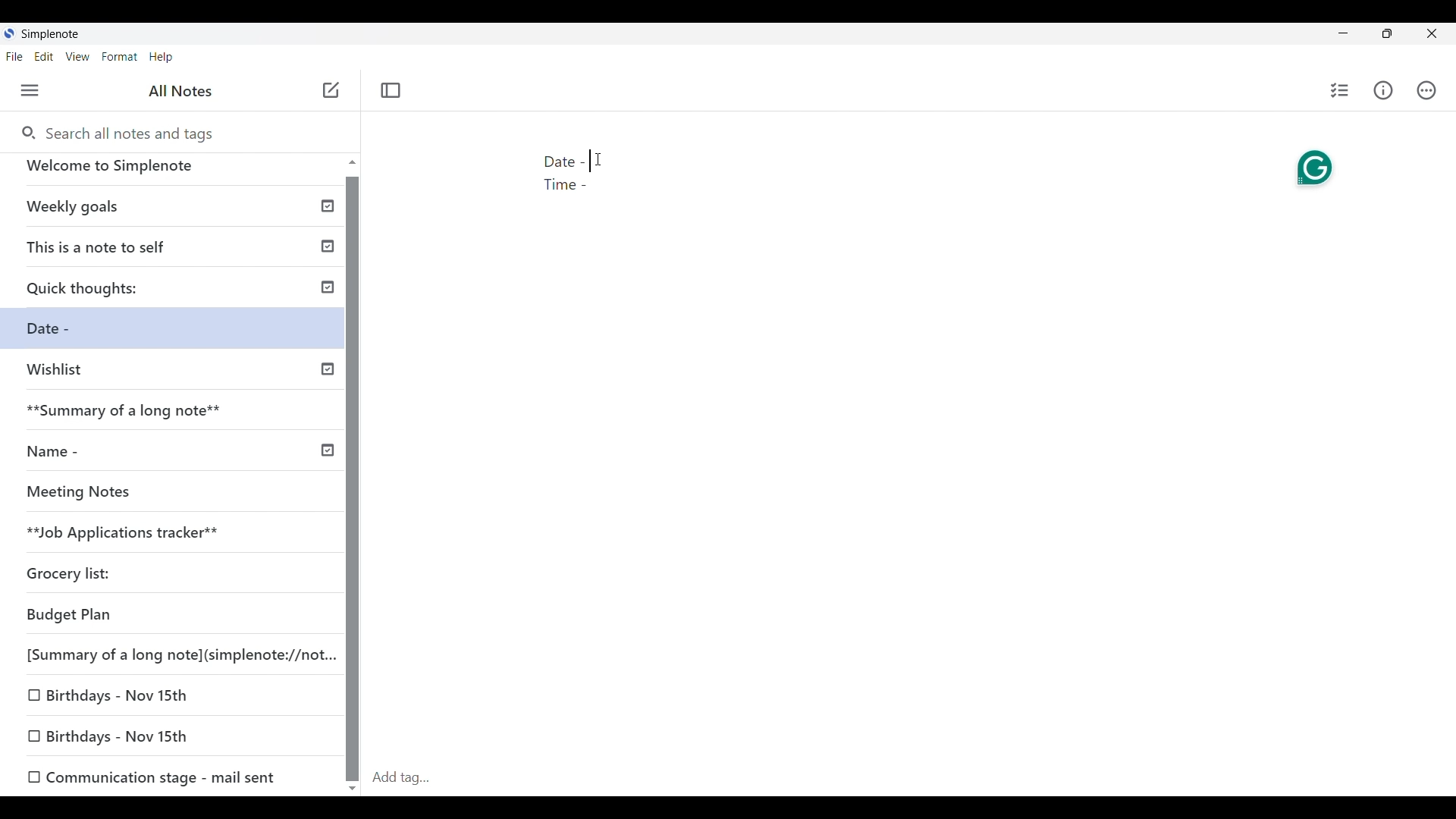  I want to click on Text pasted, so click(570, 175).